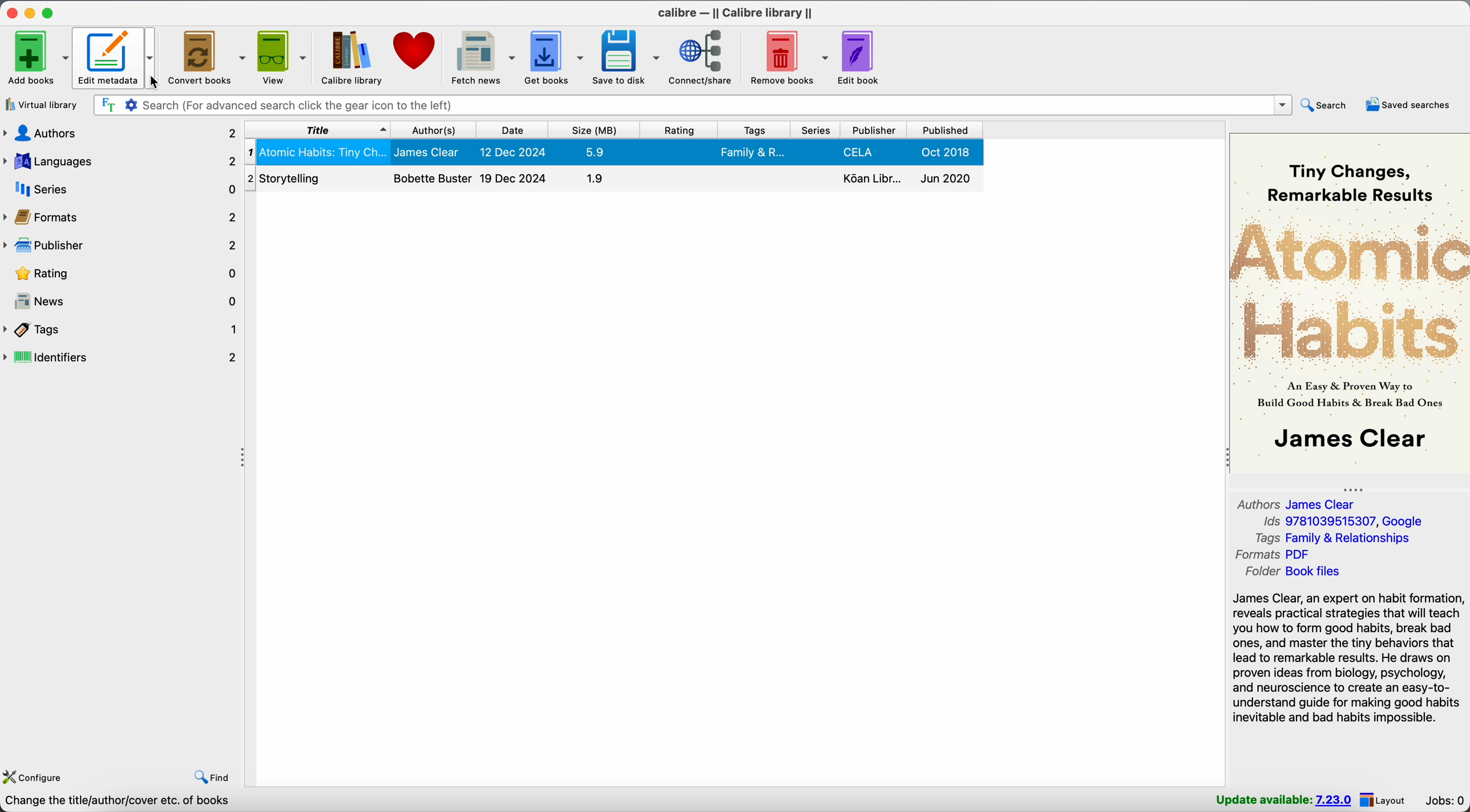 This screenshot has height=812, width=1470. What do you see at coordinates (205, 58) in the screenshot?
I see `convert books` at bounding box center [205, 58].